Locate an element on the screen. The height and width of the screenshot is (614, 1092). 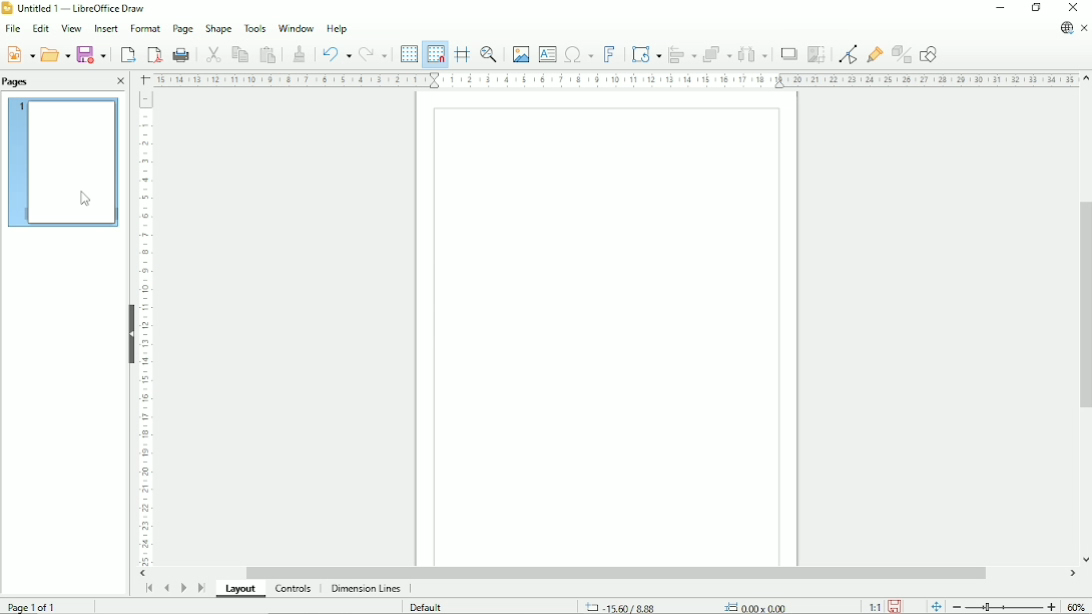
Snap to grid is located at coordinates (434, 54).